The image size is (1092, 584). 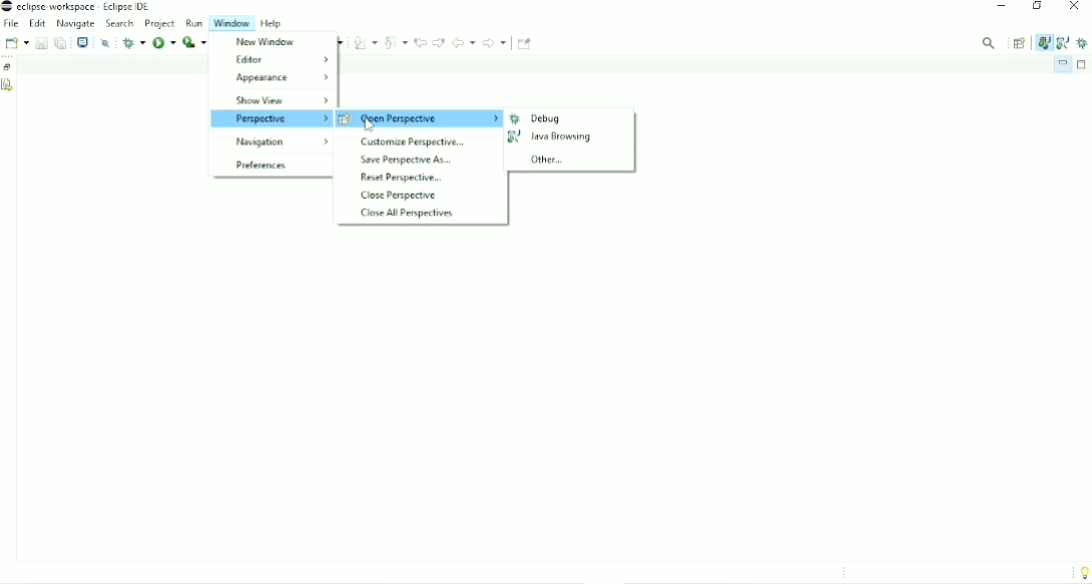 I want to click on Forward , so click(x=496, y=42).